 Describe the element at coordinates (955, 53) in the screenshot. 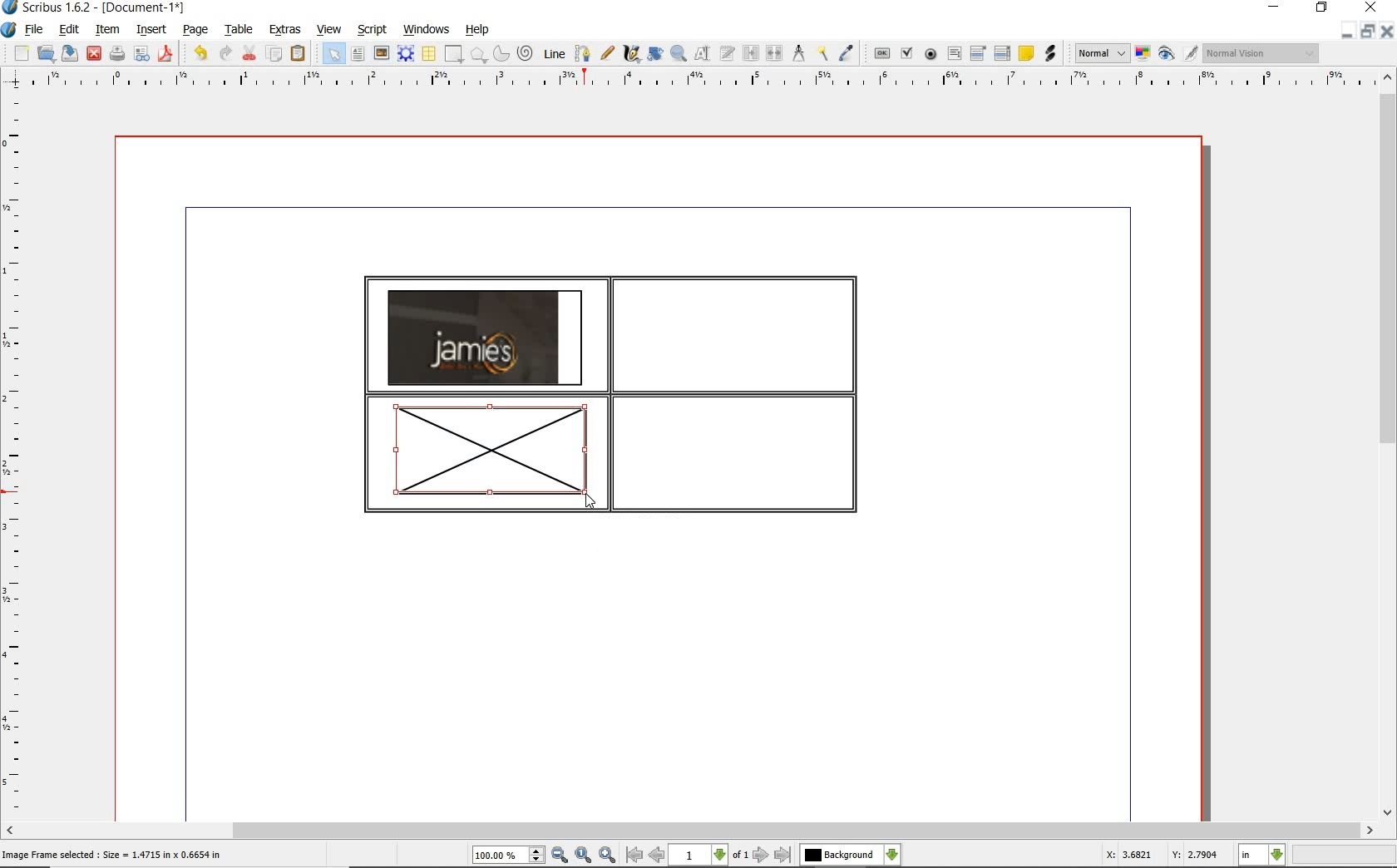

I see `pdf text field` at that location.